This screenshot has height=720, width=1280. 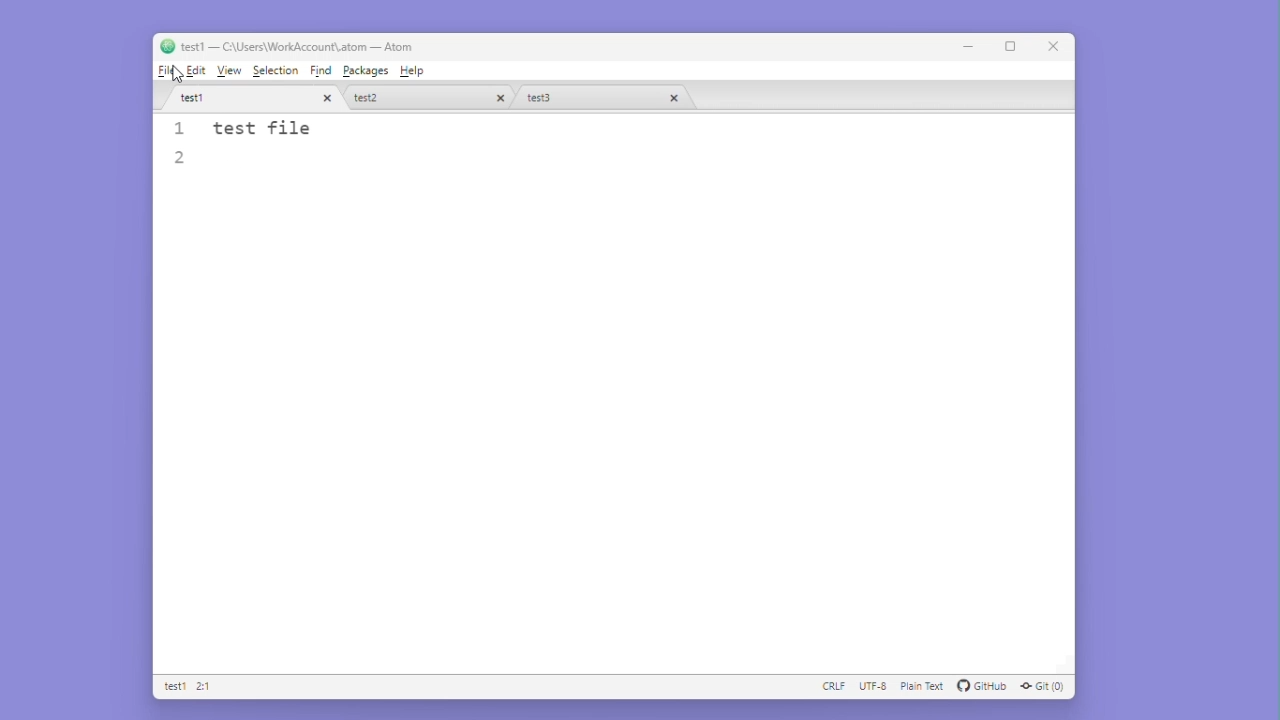 I want to click on Help, so click(x=411, y=70).